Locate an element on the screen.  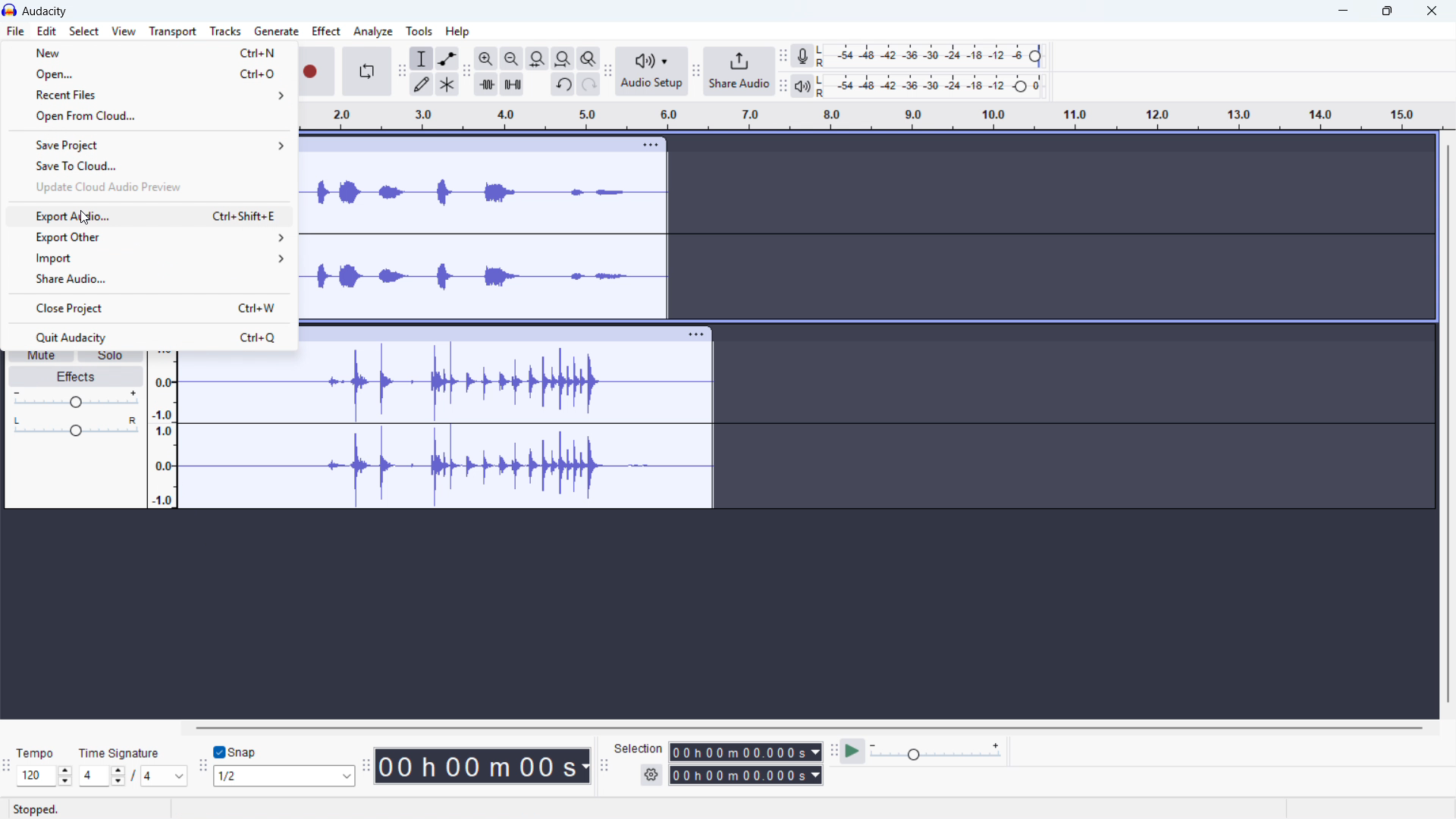
Quit audacity  is located at coordinates (147, 337).